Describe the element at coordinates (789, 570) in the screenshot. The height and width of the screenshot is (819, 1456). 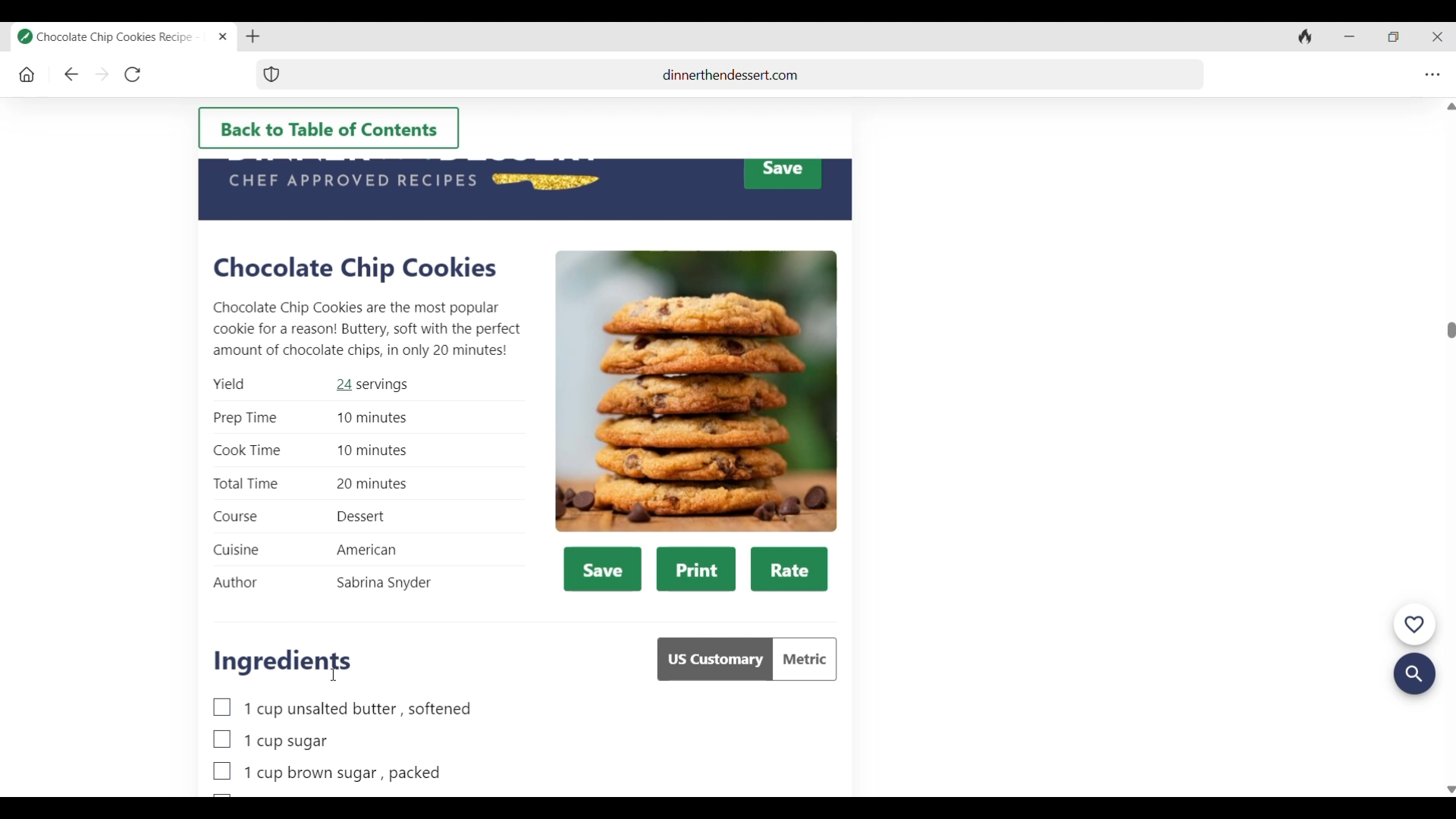
I see `Rate article` at that location.